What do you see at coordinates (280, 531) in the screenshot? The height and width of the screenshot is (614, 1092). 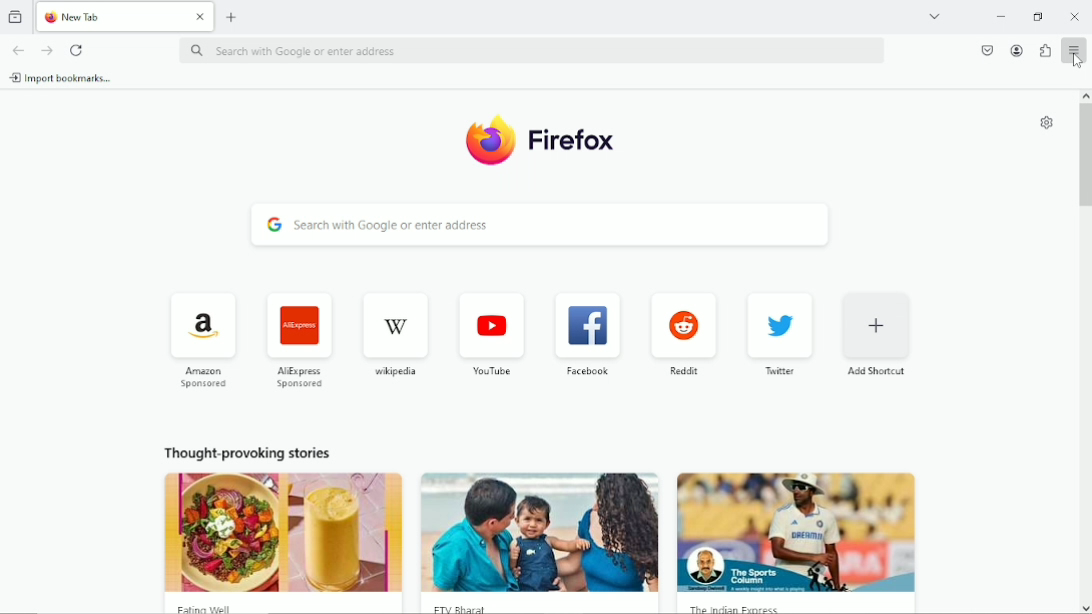 I see `image` at bounding box center [280, 531].